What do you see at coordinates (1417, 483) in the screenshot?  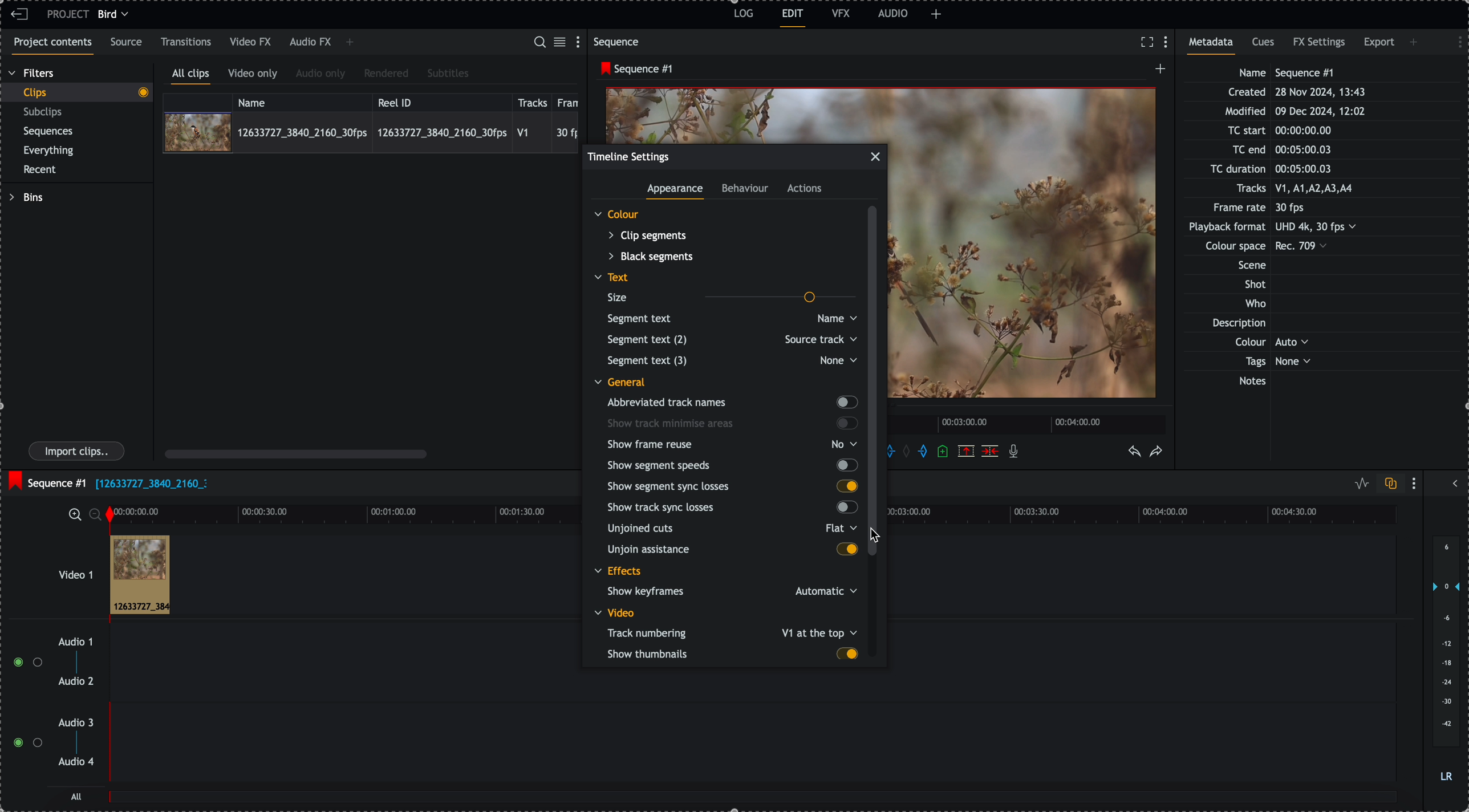 I see `show settings menu` at bounding box center [1417, 483].